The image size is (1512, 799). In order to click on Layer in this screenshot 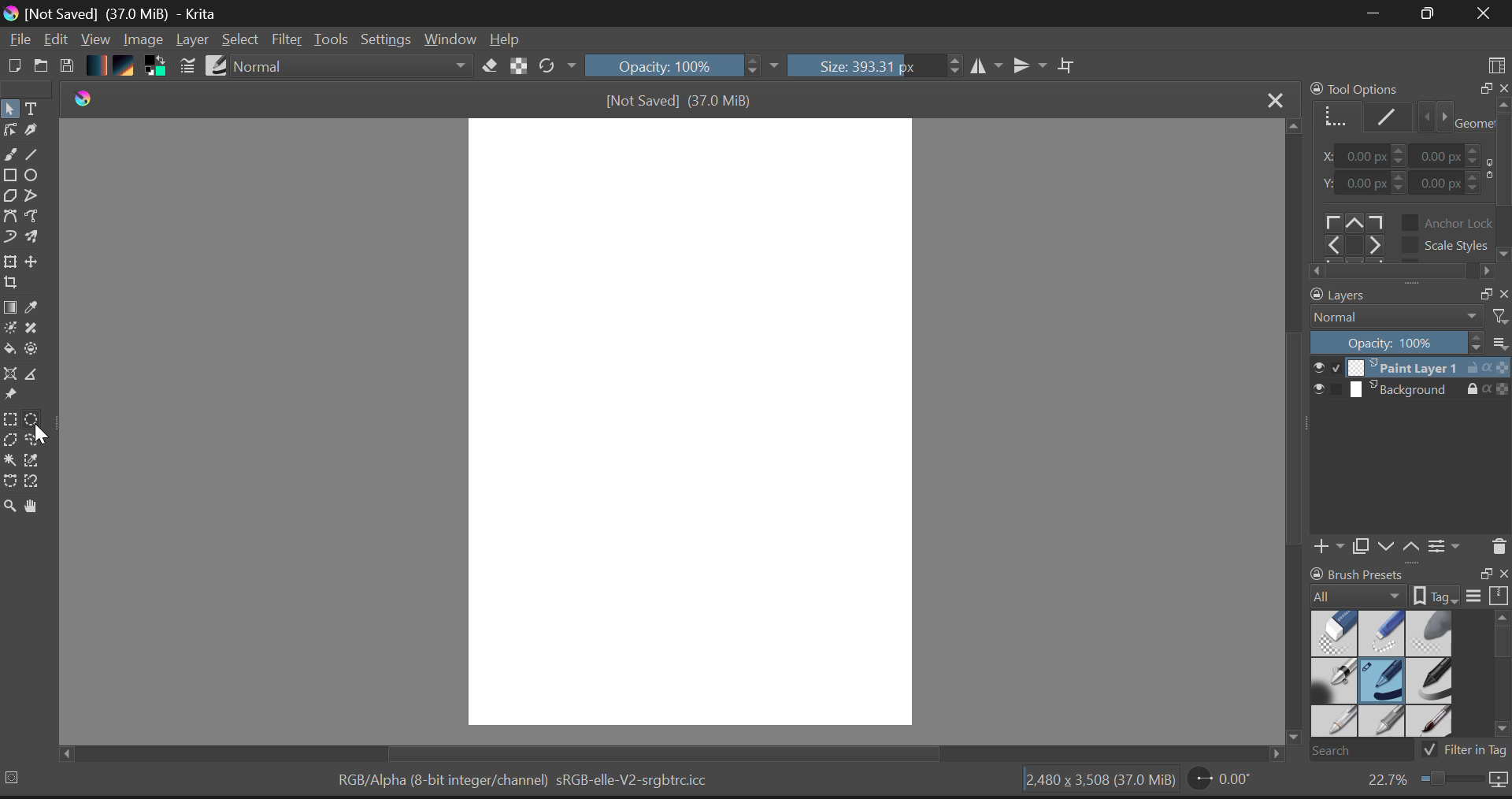, I will do `click(192, 42)`.